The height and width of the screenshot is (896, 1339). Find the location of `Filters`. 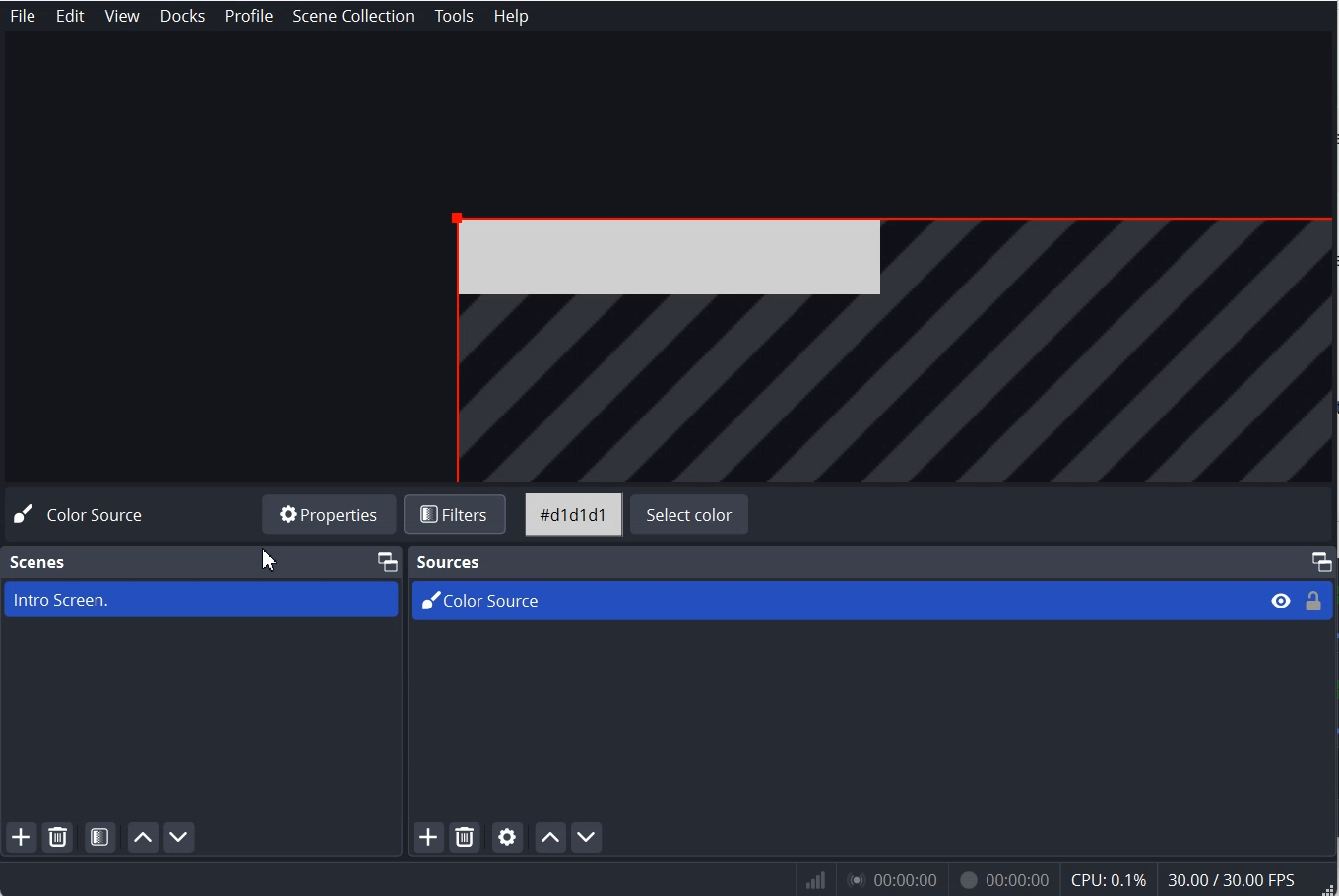

Filters is located at coordinates (461, 516).